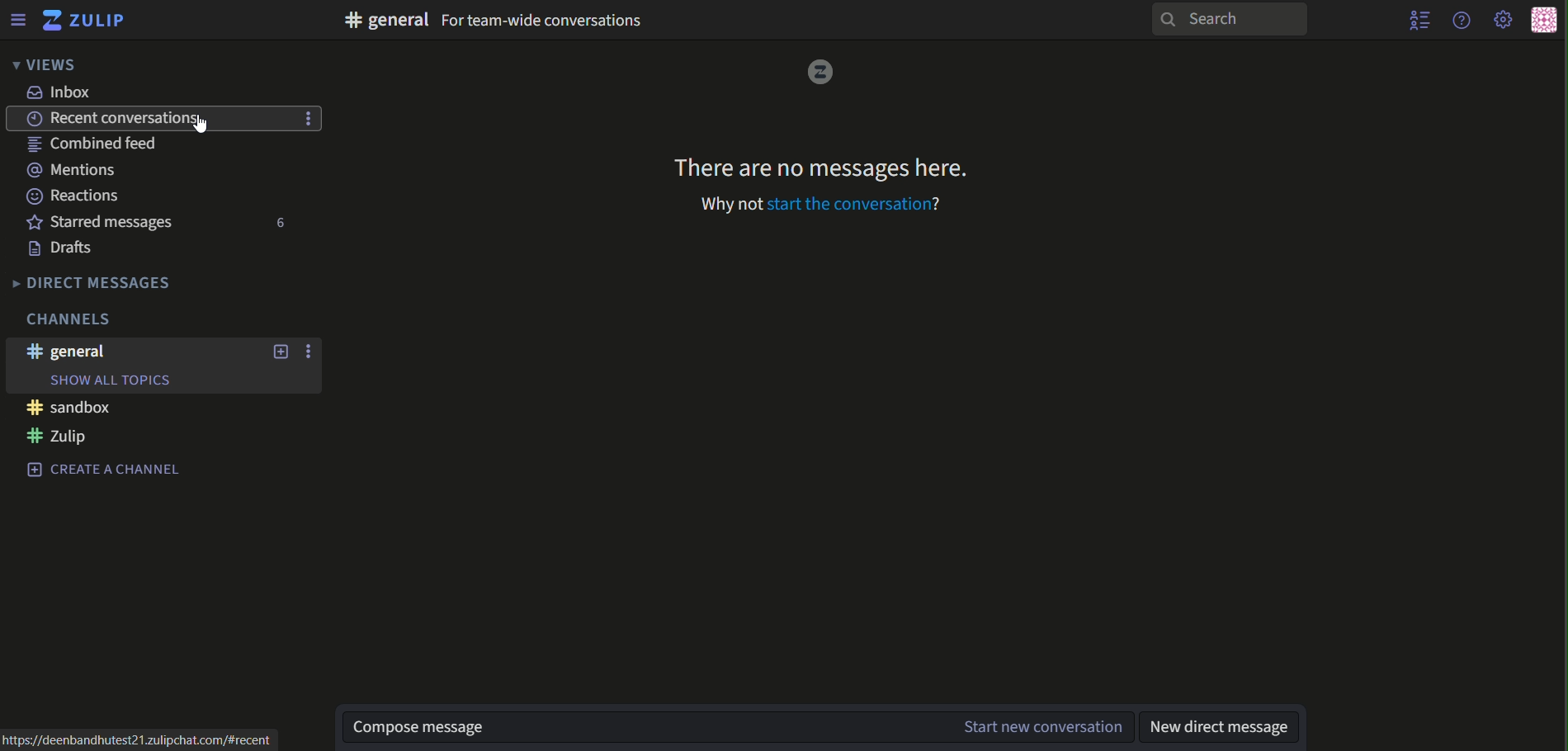 Image resolution: width=1568 pixels, height=751 pixels. What do you see at coordinates (815, 164) in the screenshot?
I see `no messages` at bounding box center [815, 164].